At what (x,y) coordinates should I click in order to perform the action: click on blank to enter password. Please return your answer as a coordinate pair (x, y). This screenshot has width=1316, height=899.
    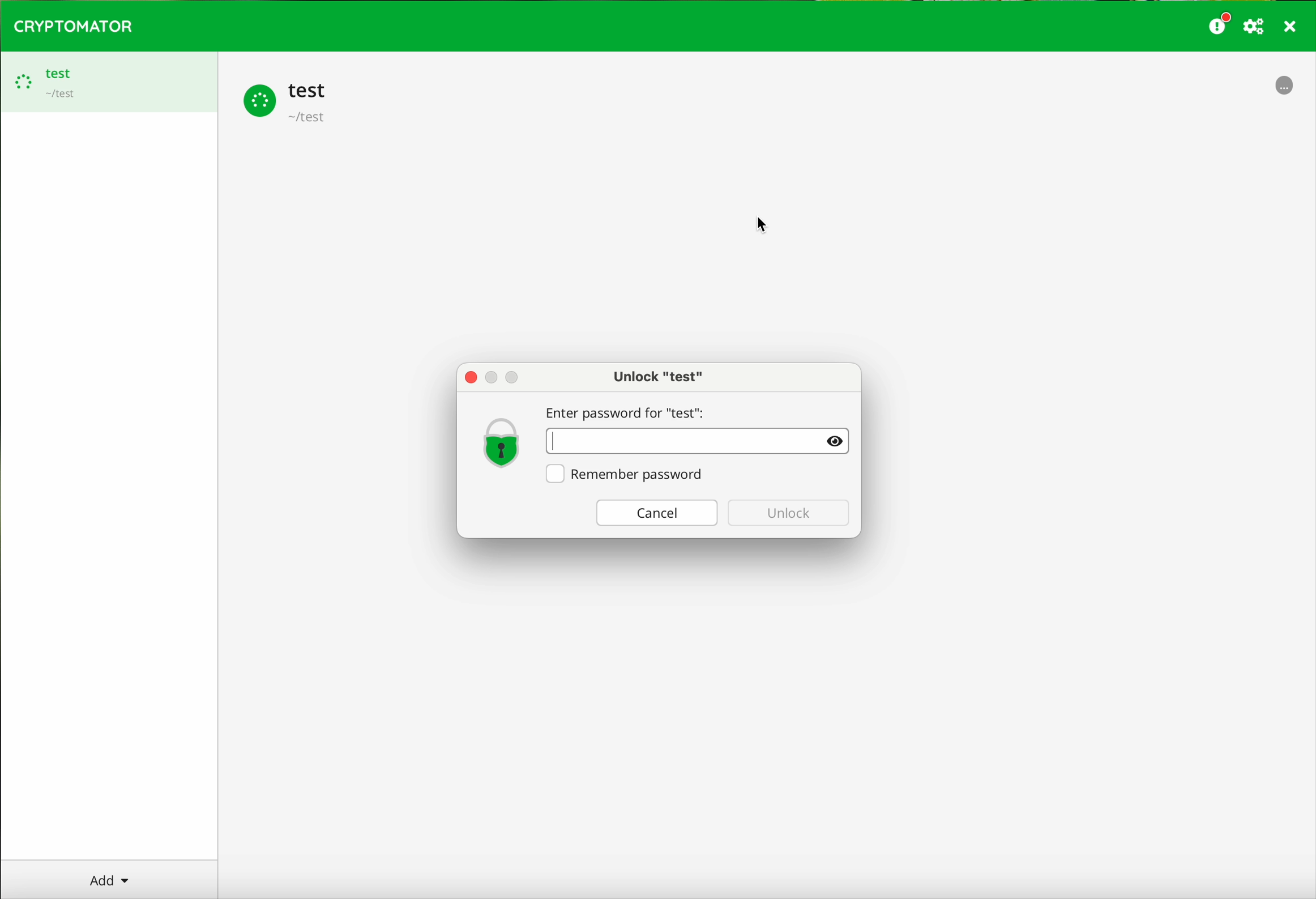
    Looking at the image, I should click on (701, 441).